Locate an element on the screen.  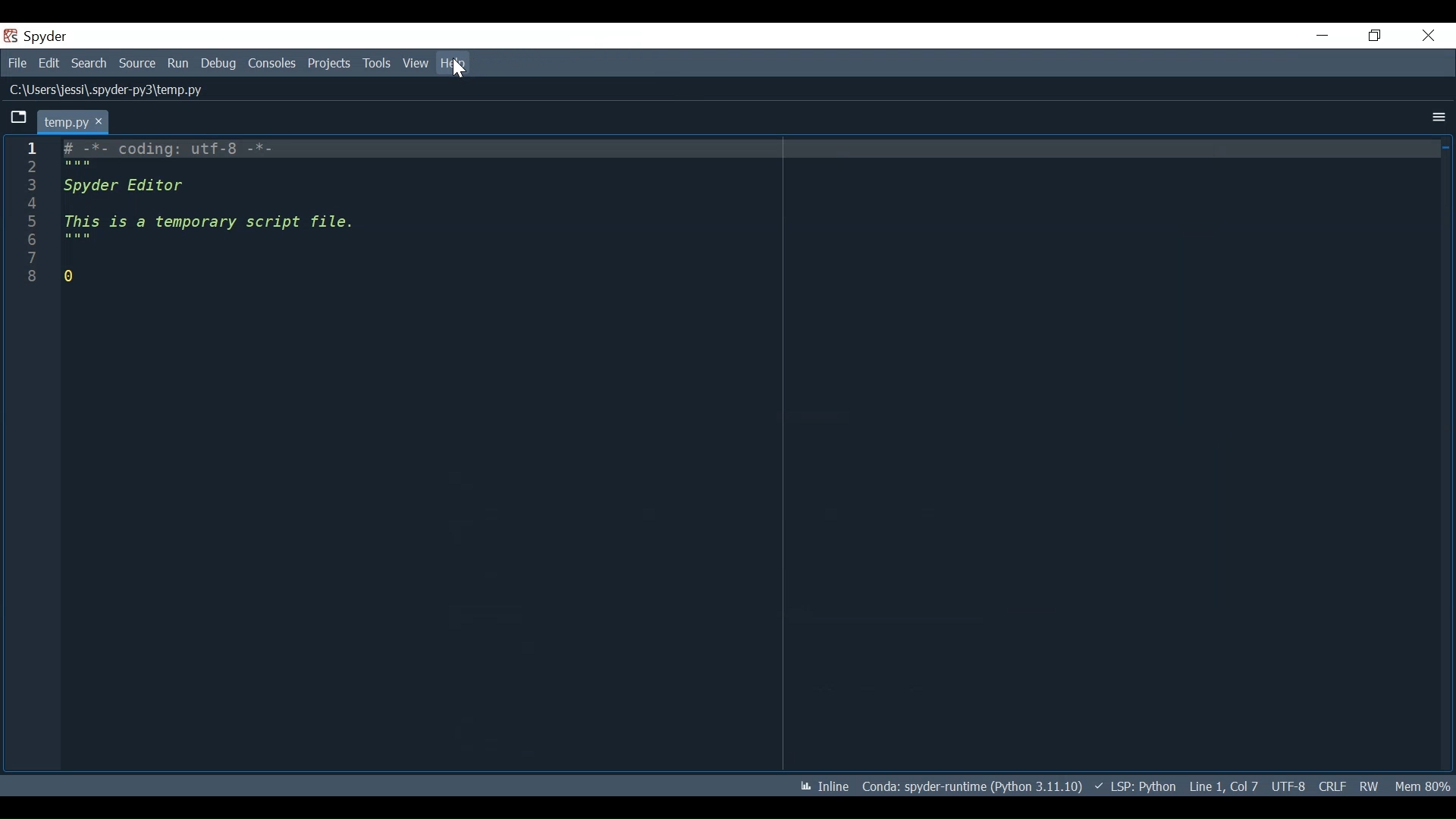
Projects is located at coordinates (329, 64).